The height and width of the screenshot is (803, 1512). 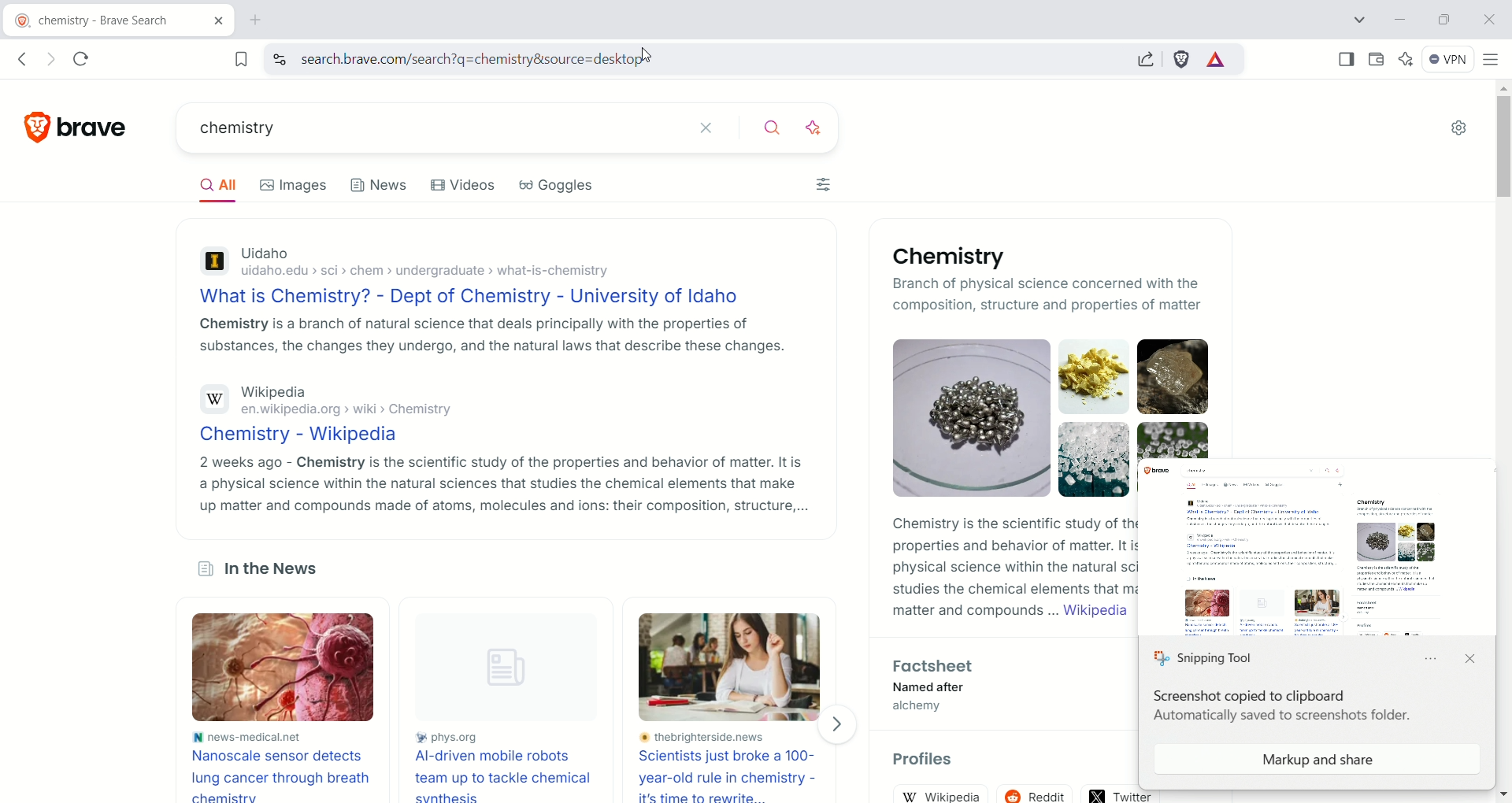 I want to click on All, so click(x=224, y=187).